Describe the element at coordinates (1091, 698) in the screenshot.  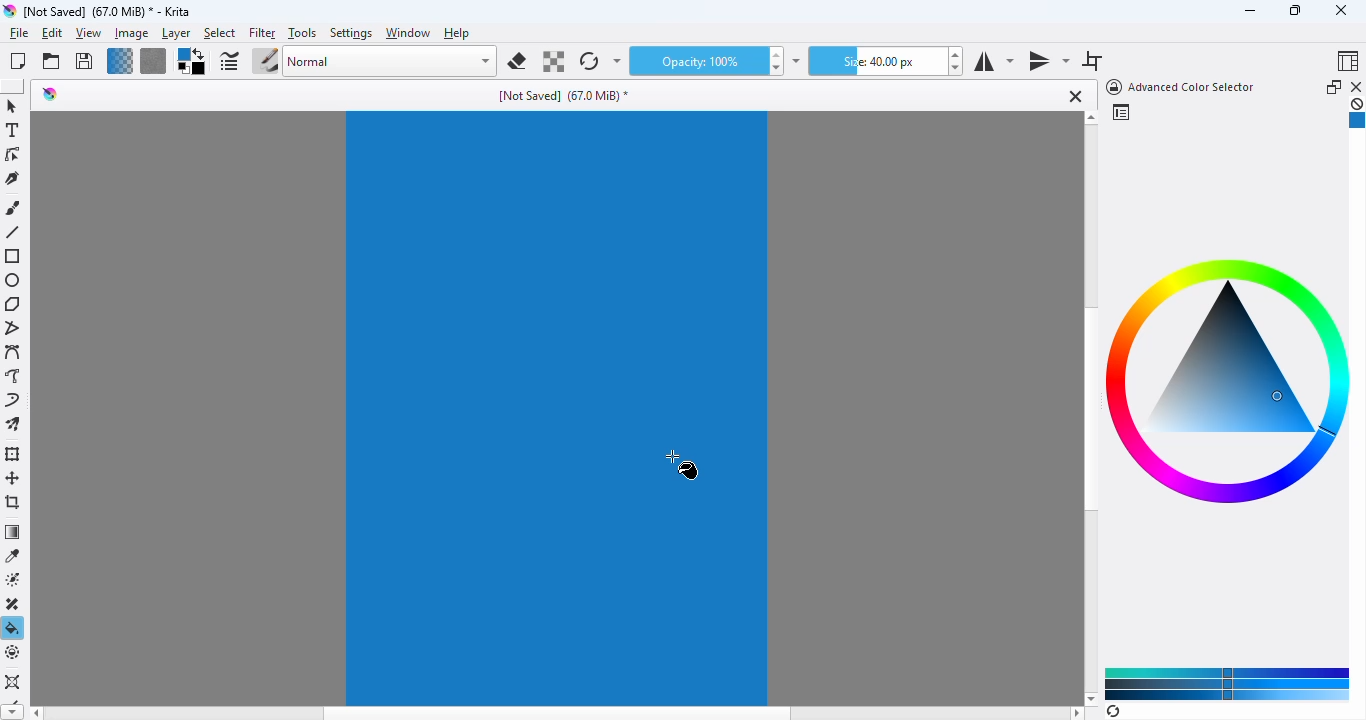
I see `scroll down` at that location.